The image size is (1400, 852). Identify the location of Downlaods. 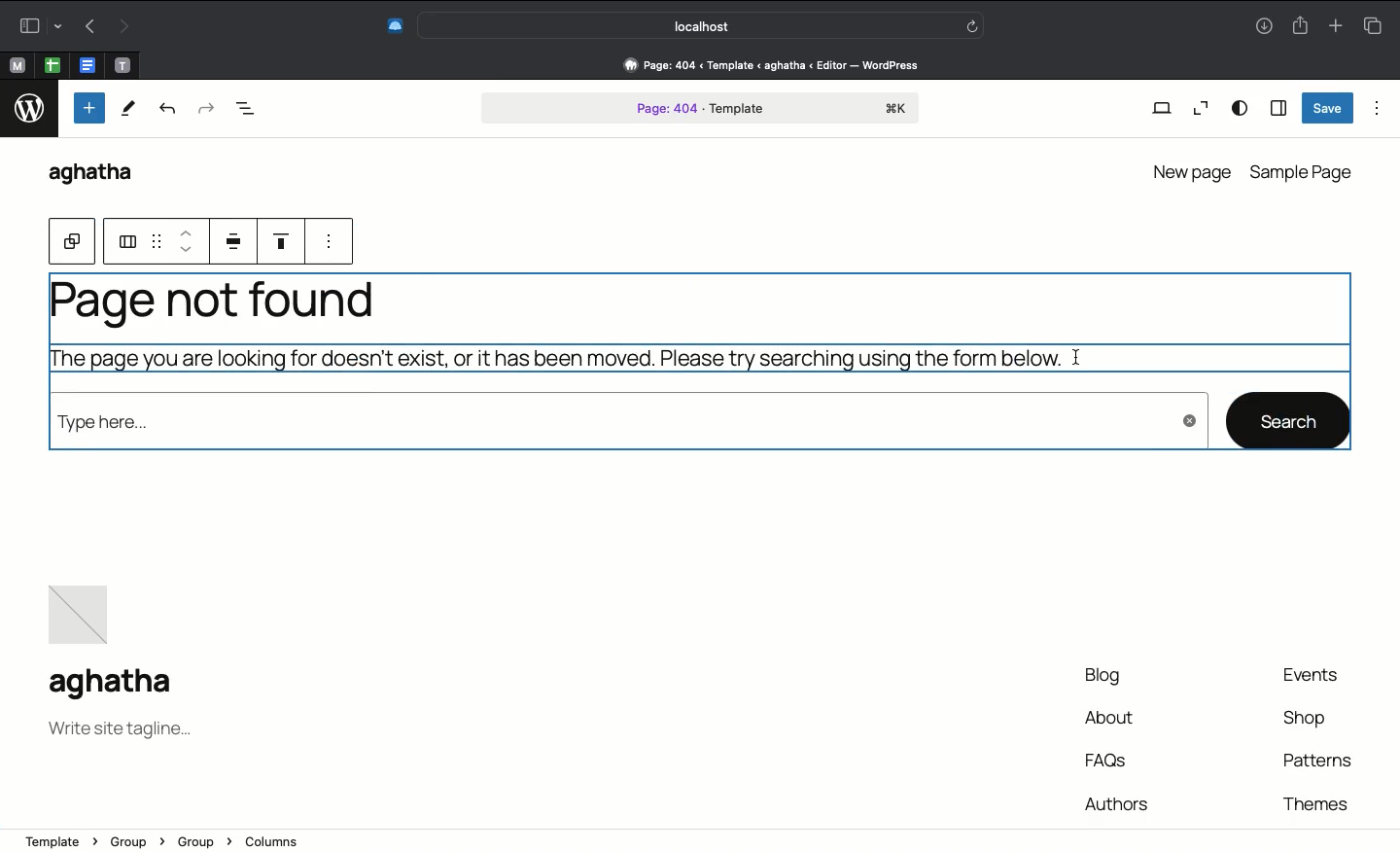
(1264, 28).